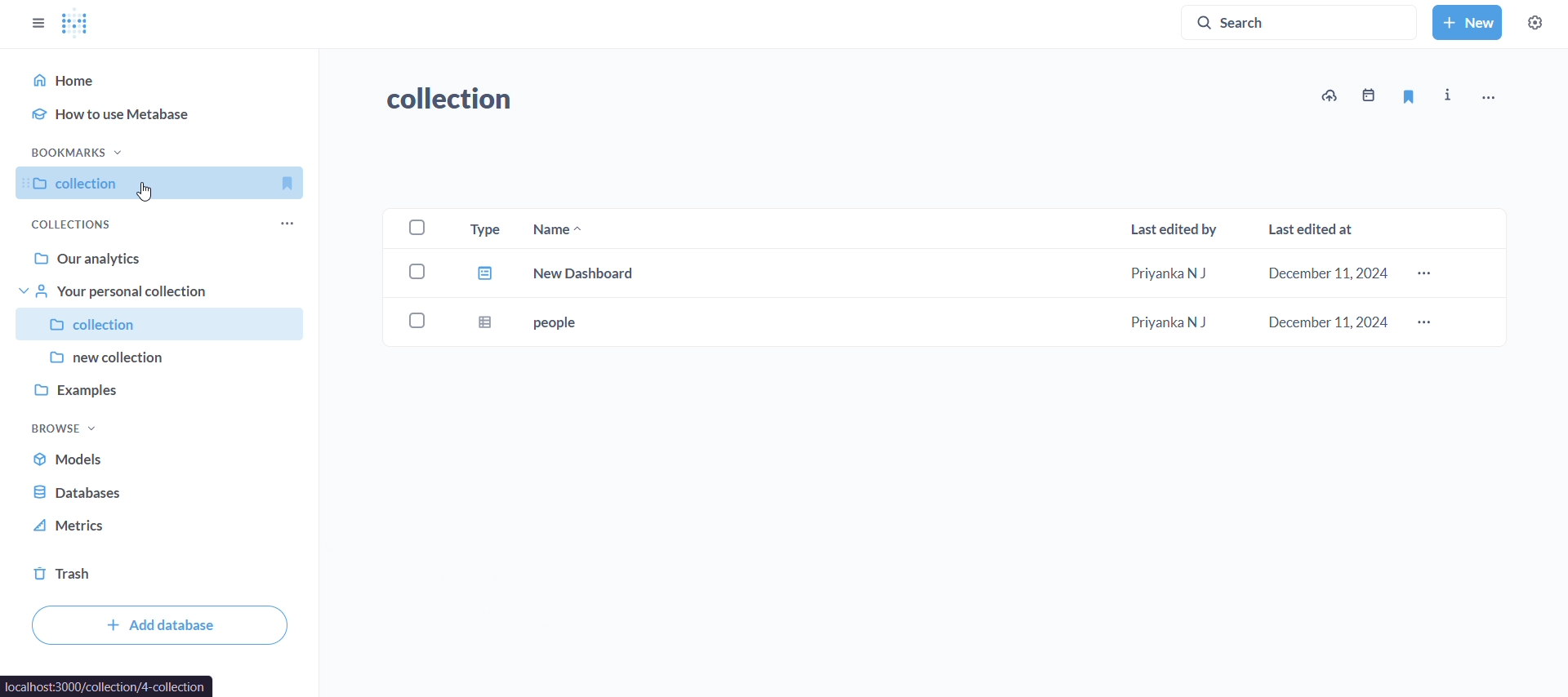  I want to click on trash , so click(103, 573).